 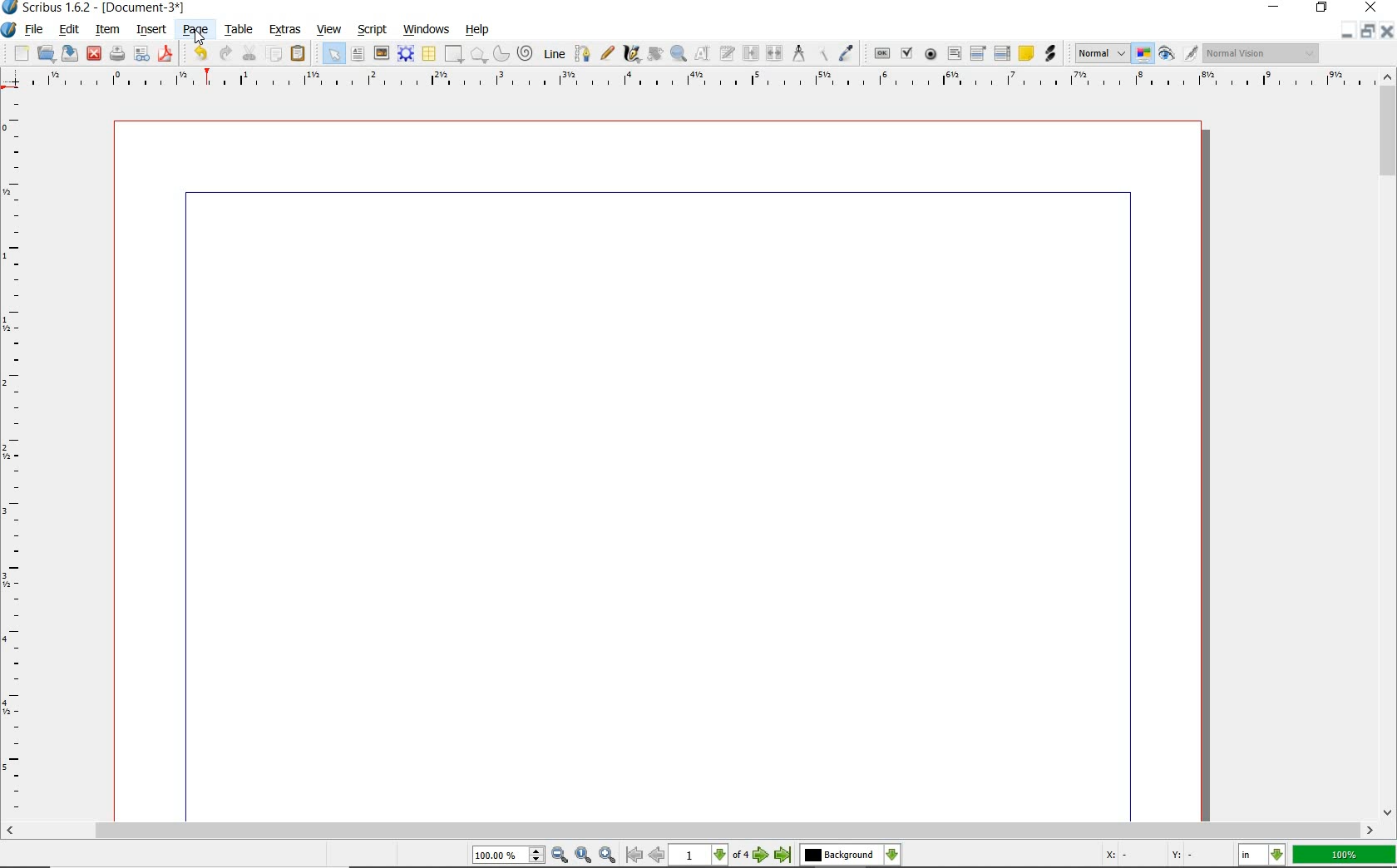 I want to click on Zoom In, so click(x=607, y=856).